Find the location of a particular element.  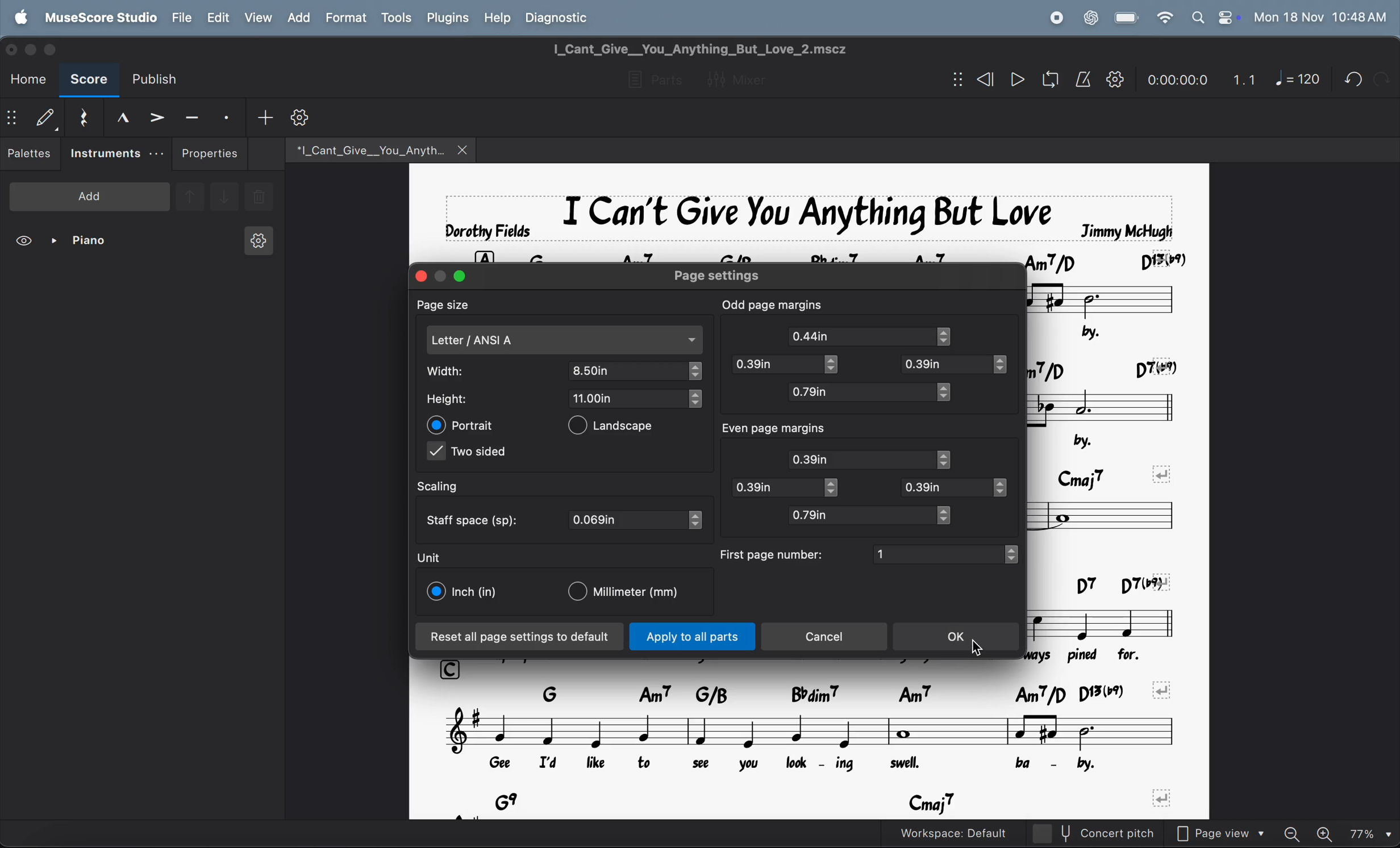

letter  is located at coordinates (565, 340).